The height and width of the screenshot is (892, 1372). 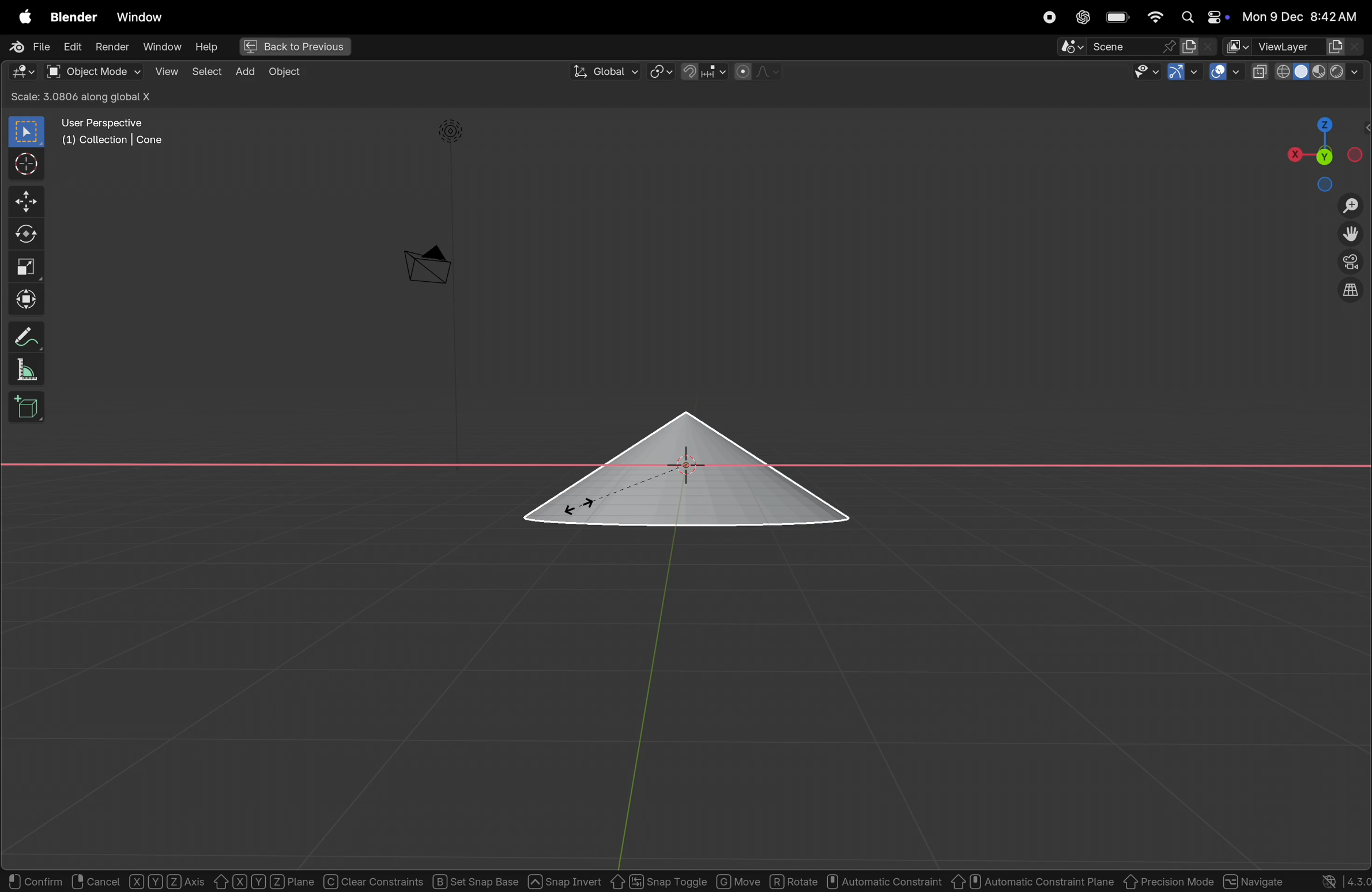 What do you see at coordinates (26, 266) in the screenshot?
I see `scale` at bounding box center [26, 266].